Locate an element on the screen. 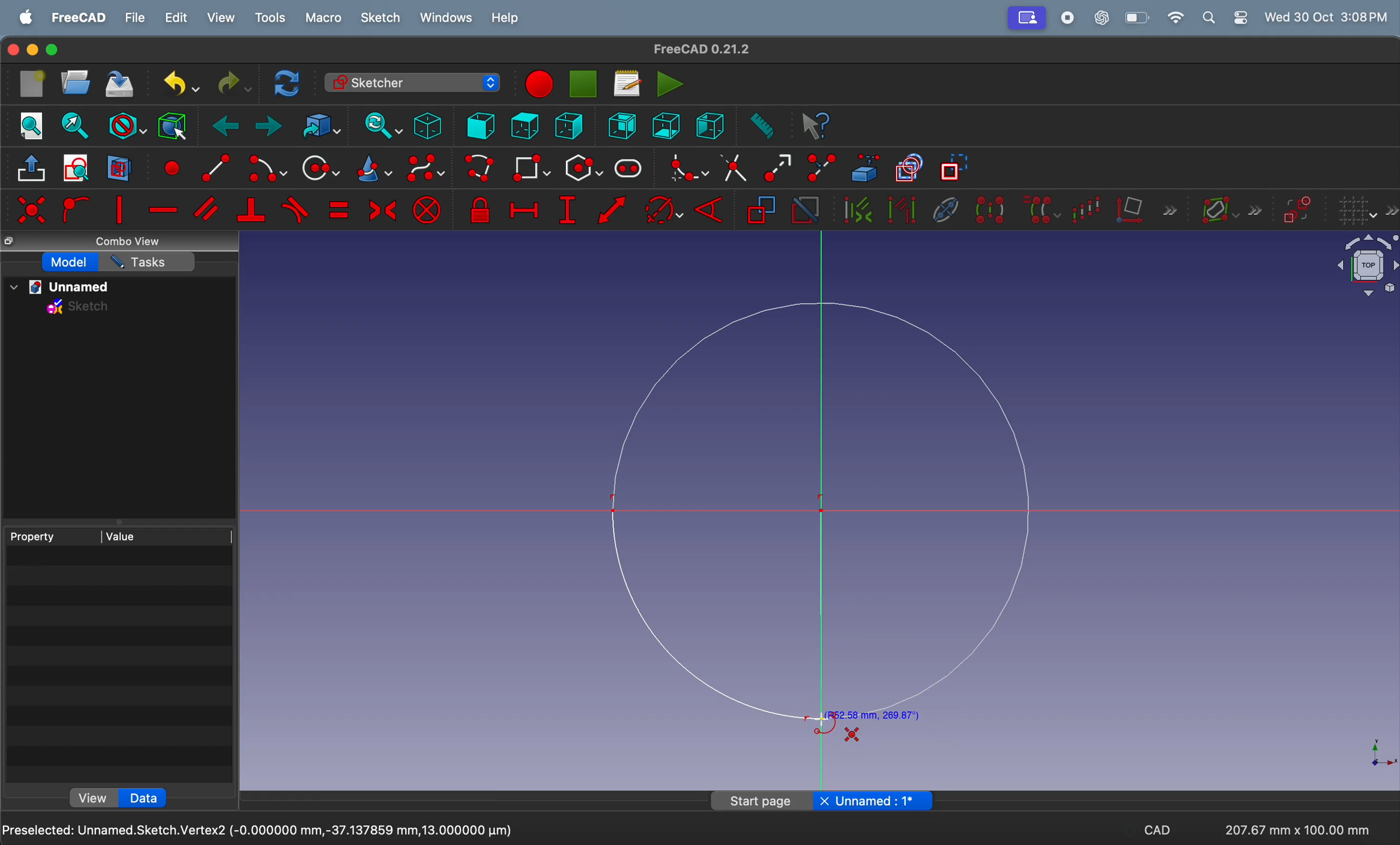 The image size is (1400, 845). whats this? is located at coordinates (816, 127).